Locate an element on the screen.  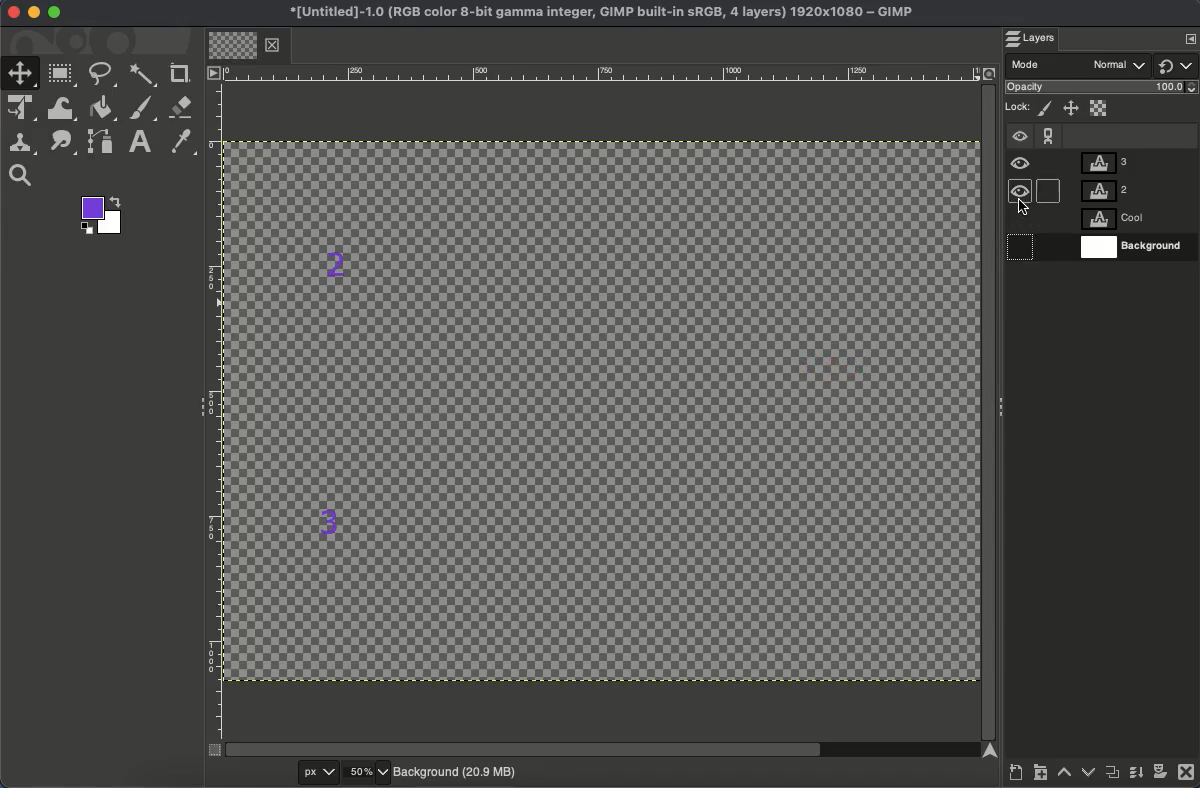
Background is located at coordinates (457, 770).